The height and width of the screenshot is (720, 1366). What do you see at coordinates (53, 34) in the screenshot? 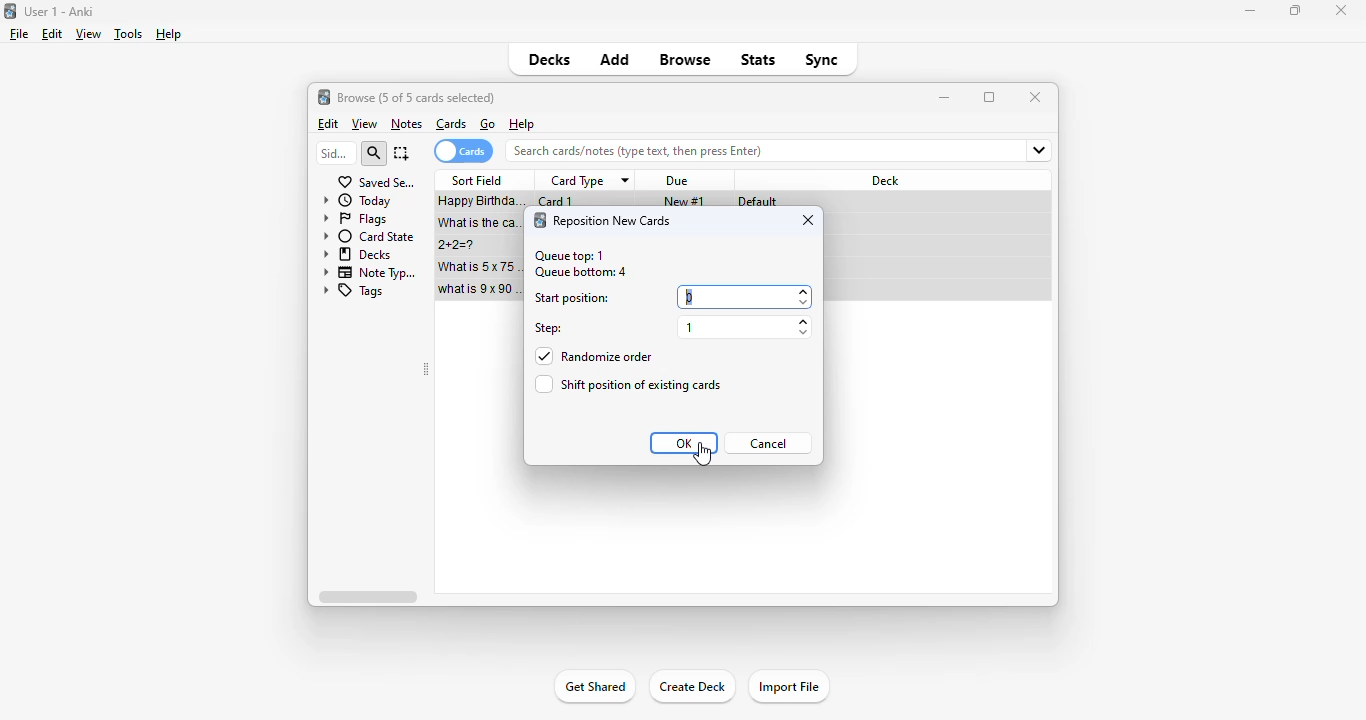
I see `edit` at bounding box center [53, 34].